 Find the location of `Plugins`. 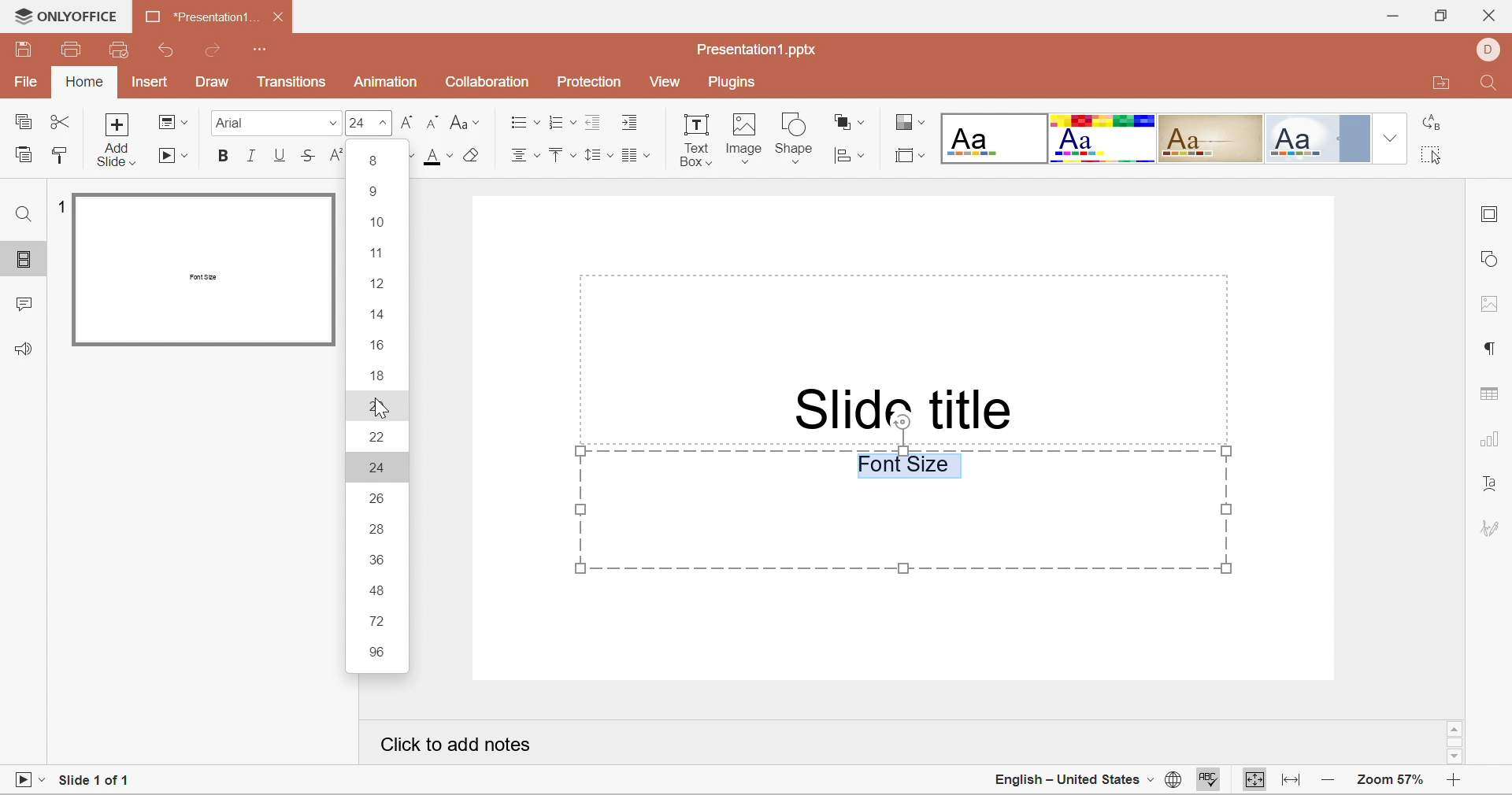

Plugins is located at coordinates (731, 83).